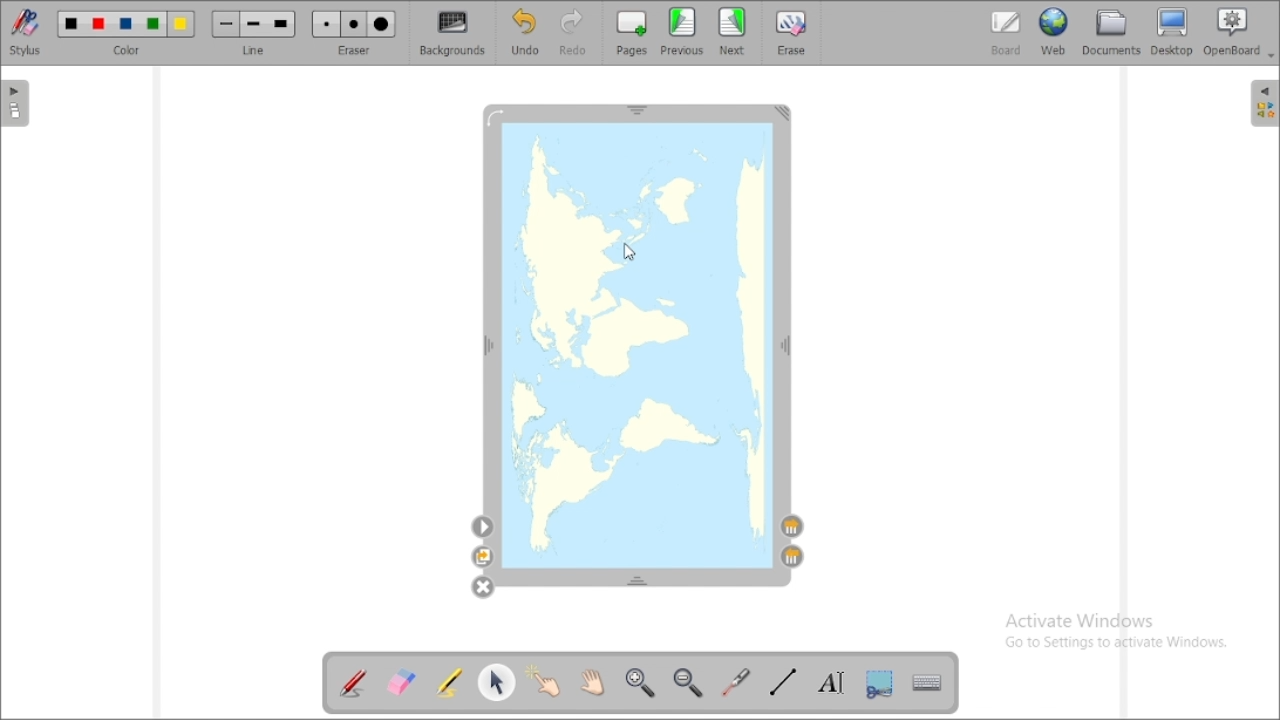 The height and width of the screenshot is (720, 1280). I want to click on line, so click(254, 33).